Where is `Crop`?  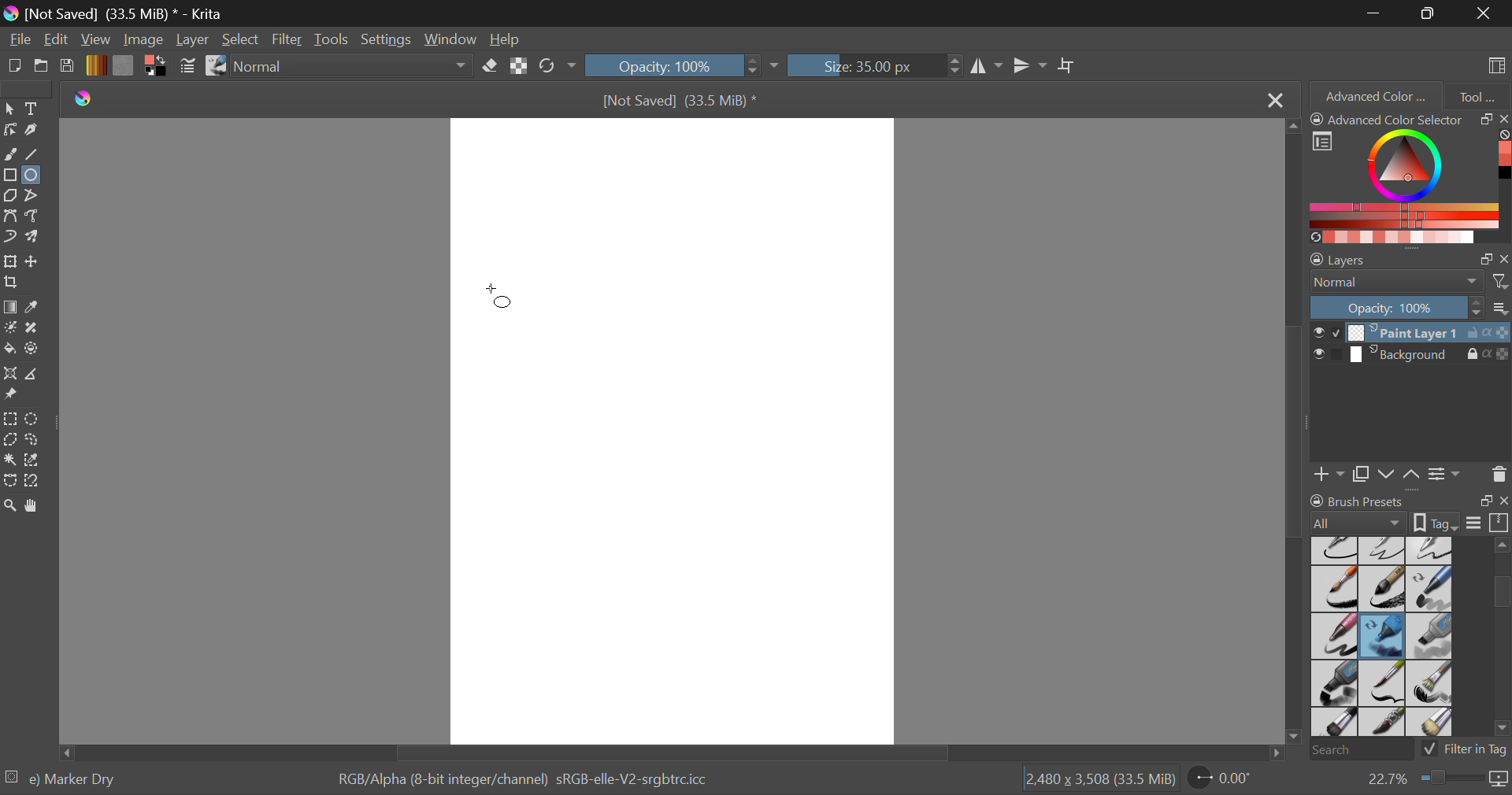
Crop is located at coordinates (1069, 66).